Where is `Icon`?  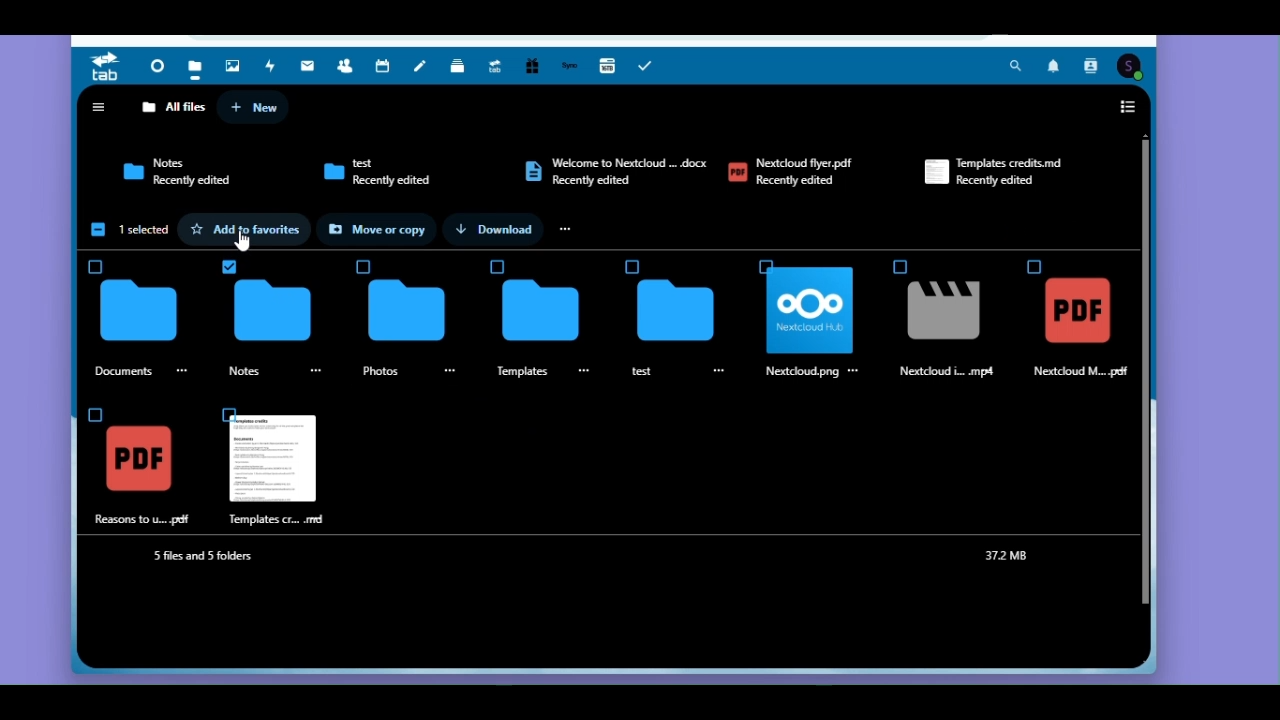 Icon is located at coordinates (934, 175).